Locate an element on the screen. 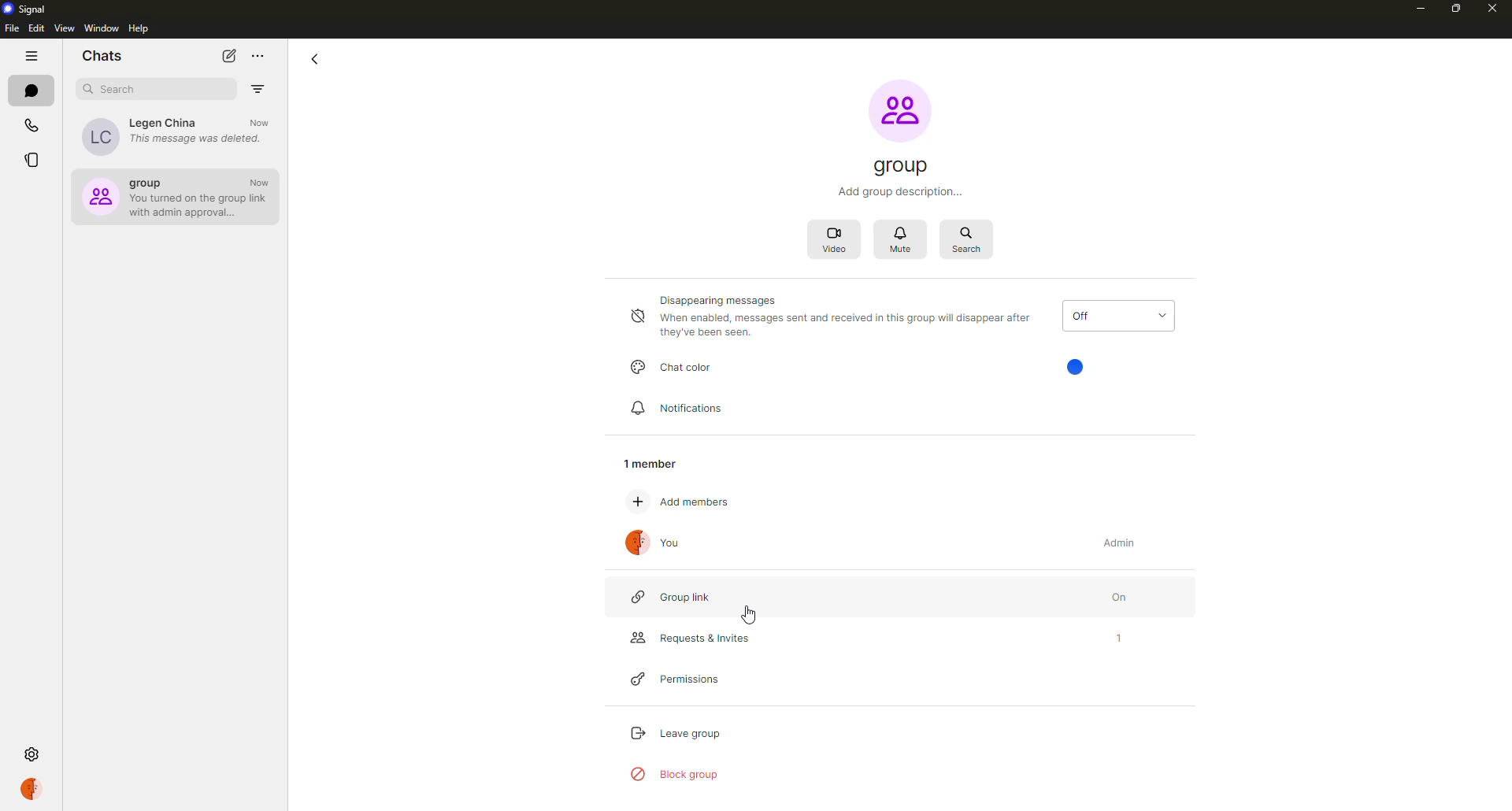 Image resolution: width=1512 pixels, height=811 pixels. search is located at coordinates (117, 89).